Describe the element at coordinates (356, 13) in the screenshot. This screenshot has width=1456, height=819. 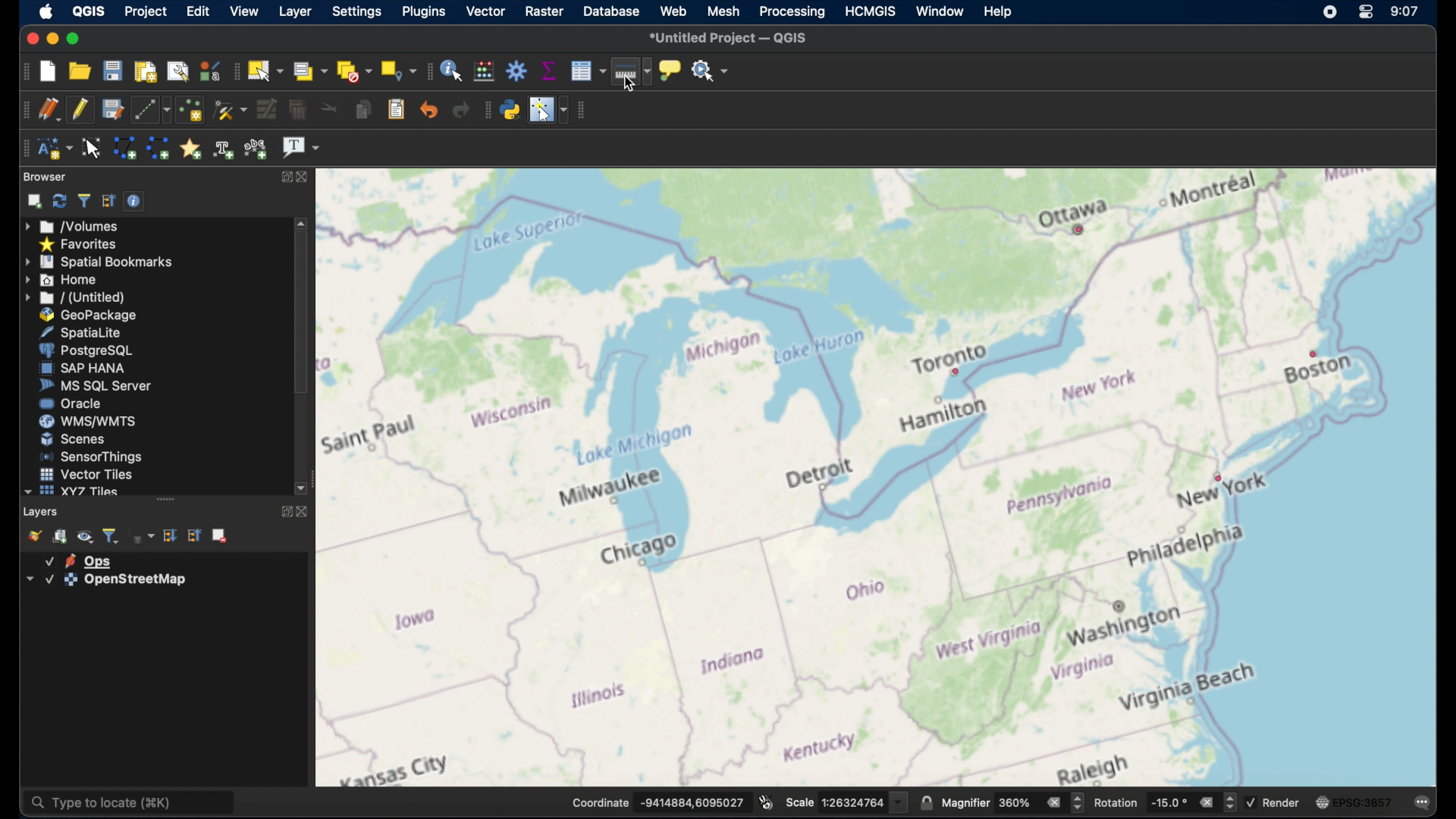
I see `settings` at that location.